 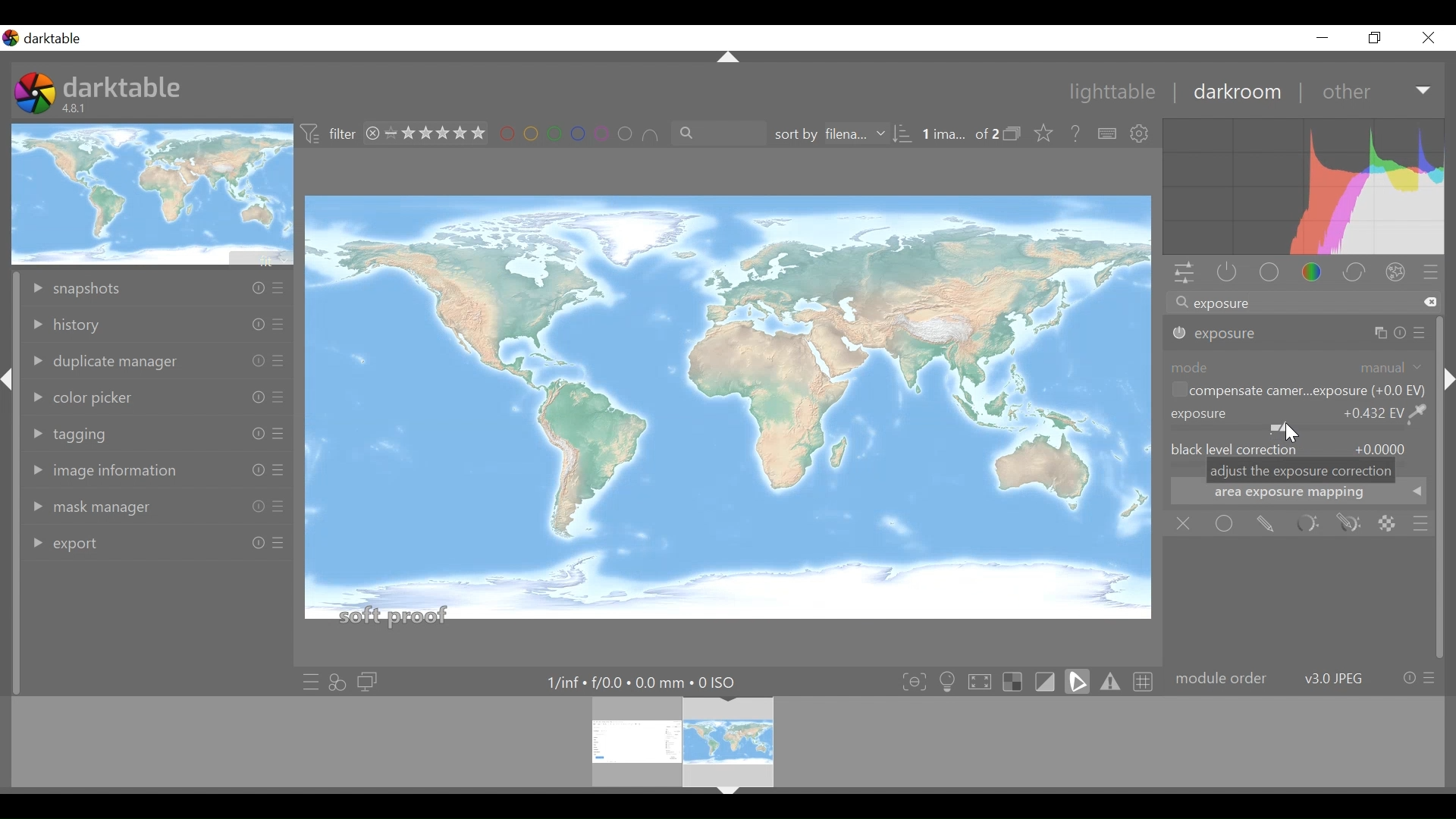 I want to click on presets, so click(x=1431, y=274).